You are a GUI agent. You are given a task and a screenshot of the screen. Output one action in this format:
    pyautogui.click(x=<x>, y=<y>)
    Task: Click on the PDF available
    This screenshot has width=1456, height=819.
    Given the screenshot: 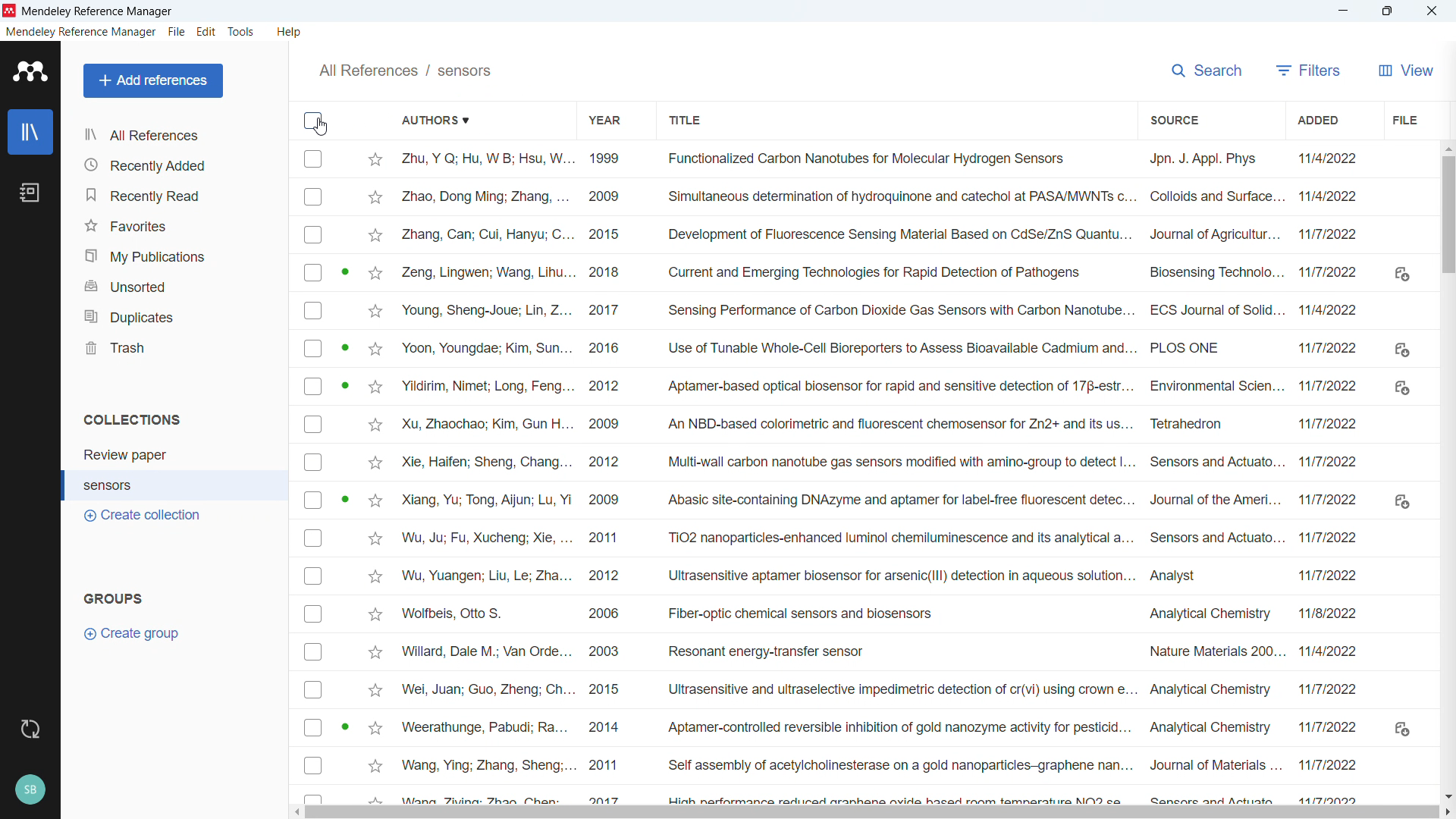 What is the action you would take?
    pyautogui.click(x=347, y=271)
    